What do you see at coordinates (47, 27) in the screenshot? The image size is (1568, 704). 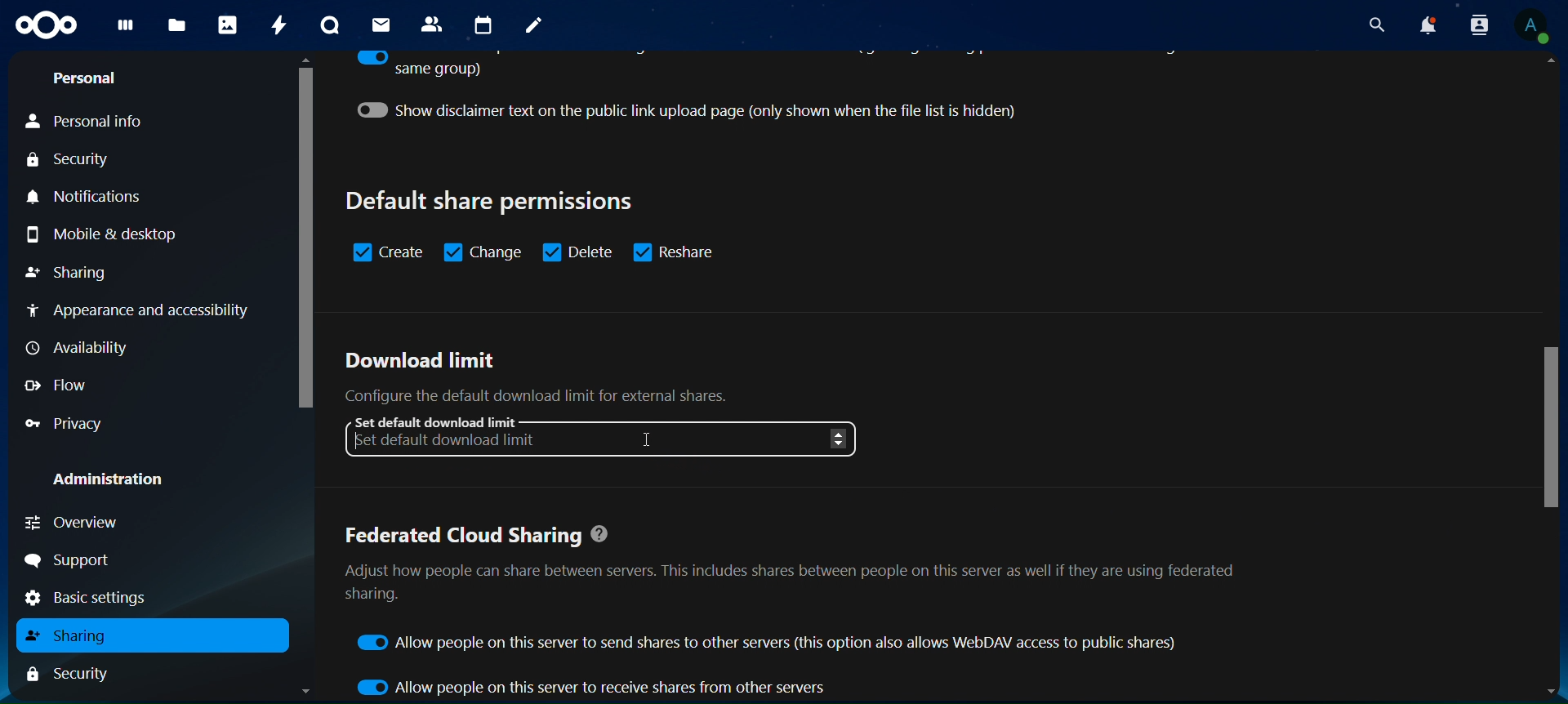 I see `Icon` at bounding box center [47, 27].